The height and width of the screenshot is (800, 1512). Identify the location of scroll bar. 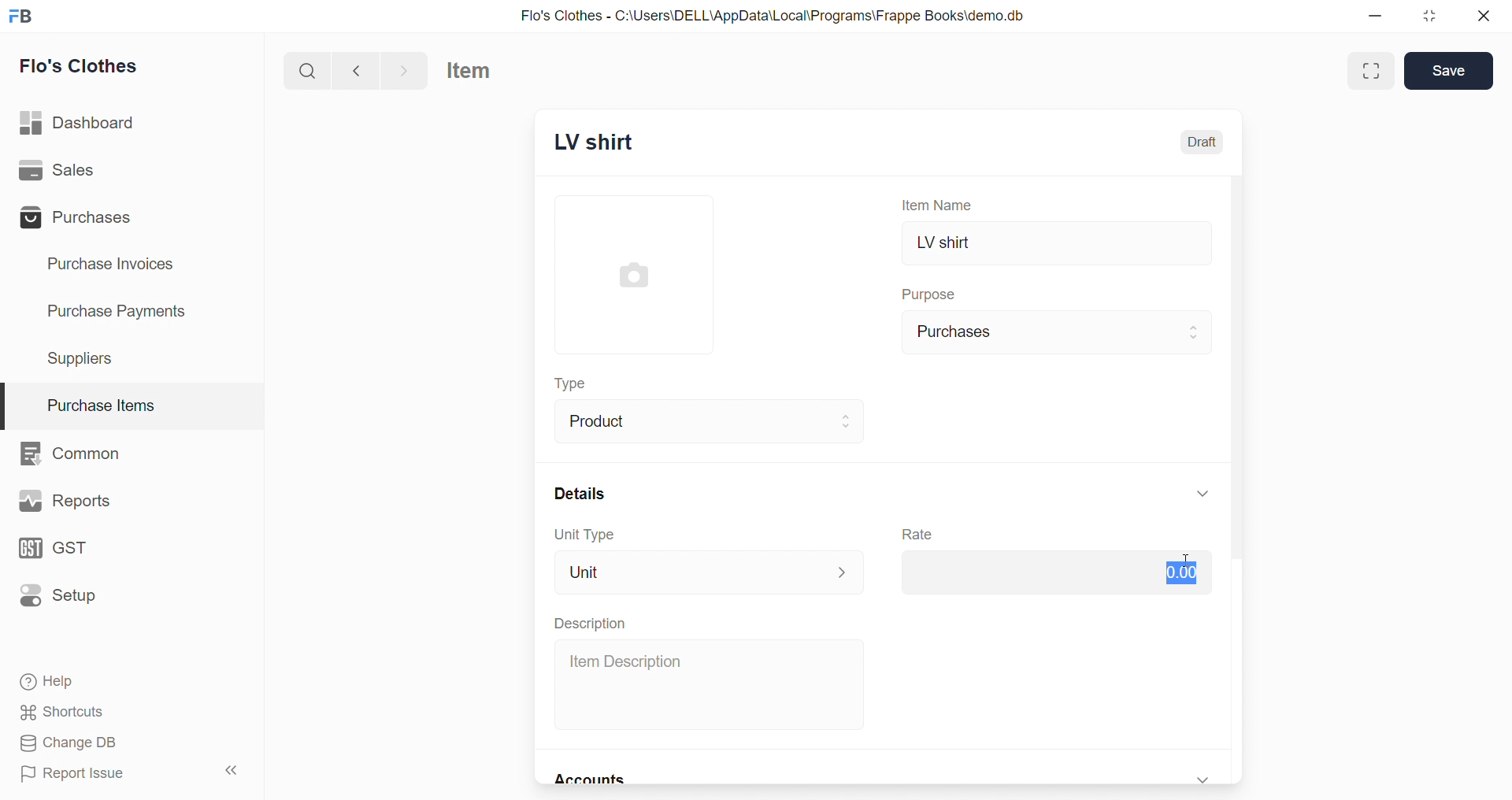
(1243, 480).